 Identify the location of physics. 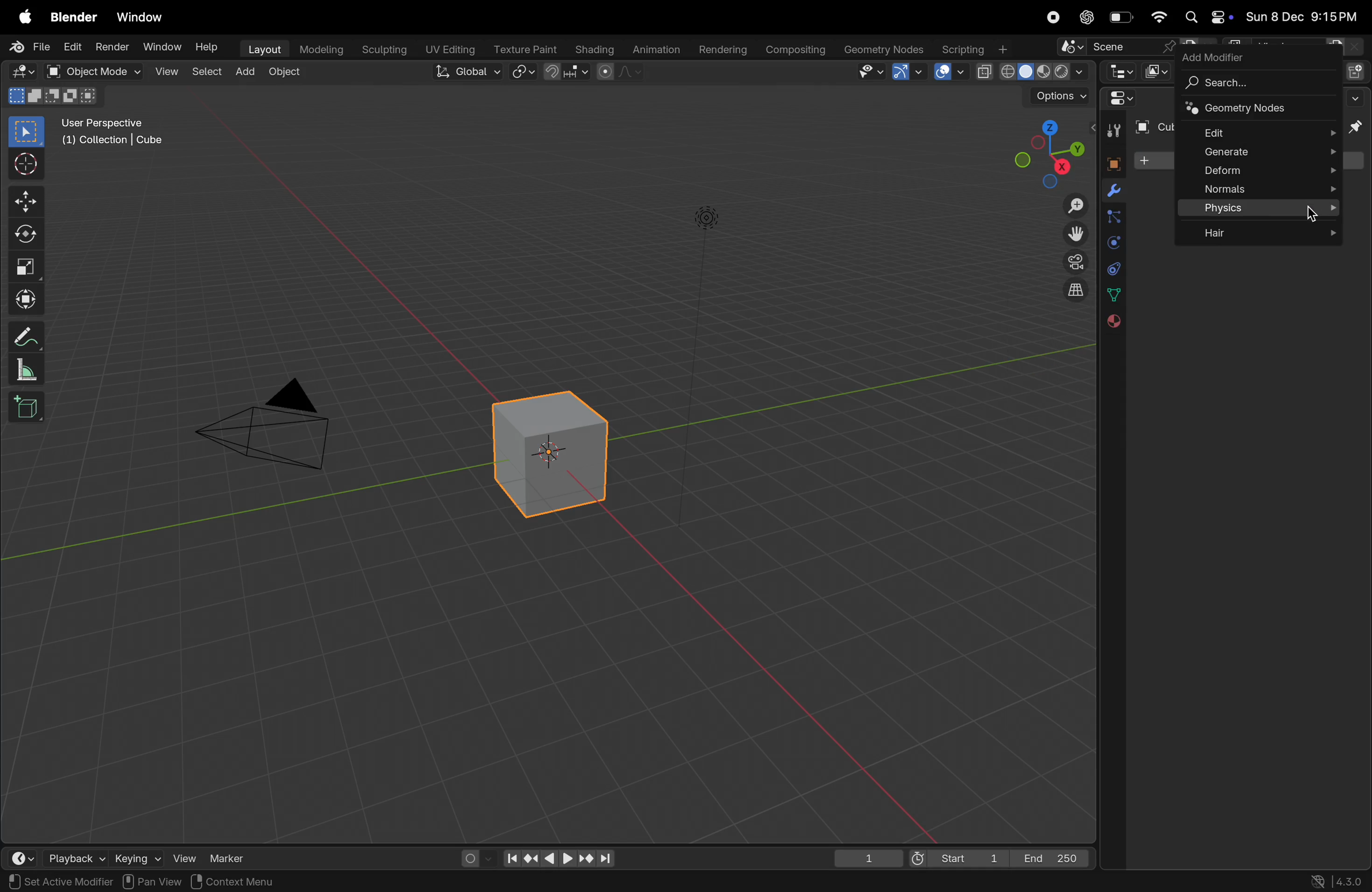
(1113, 243).